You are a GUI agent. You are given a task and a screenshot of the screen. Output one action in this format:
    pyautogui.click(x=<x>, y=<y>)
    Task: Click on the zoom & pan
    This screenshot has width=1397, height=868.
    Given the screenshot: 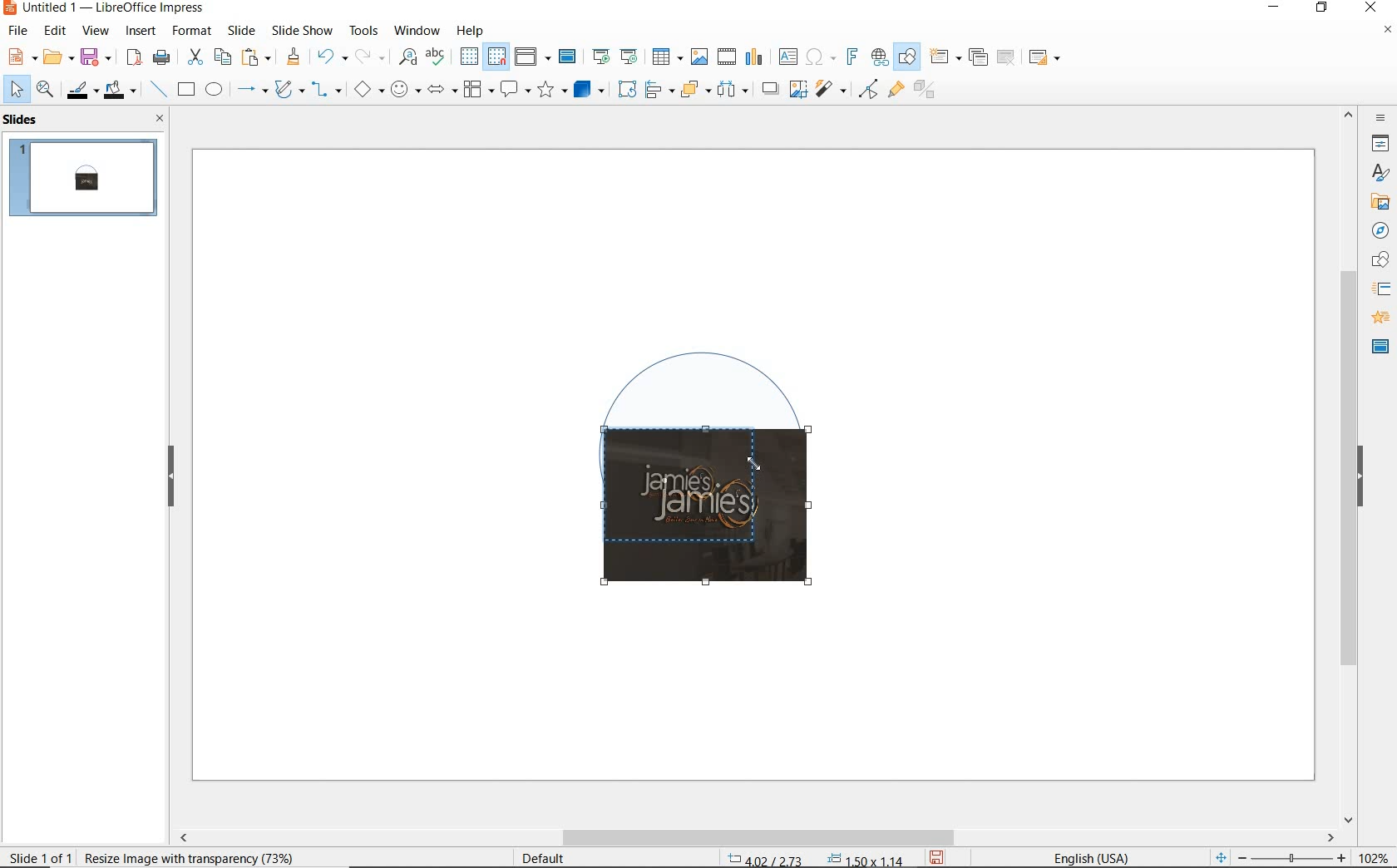 What is the action you would take?
    pyautogui.click(x=47, y=91)
    